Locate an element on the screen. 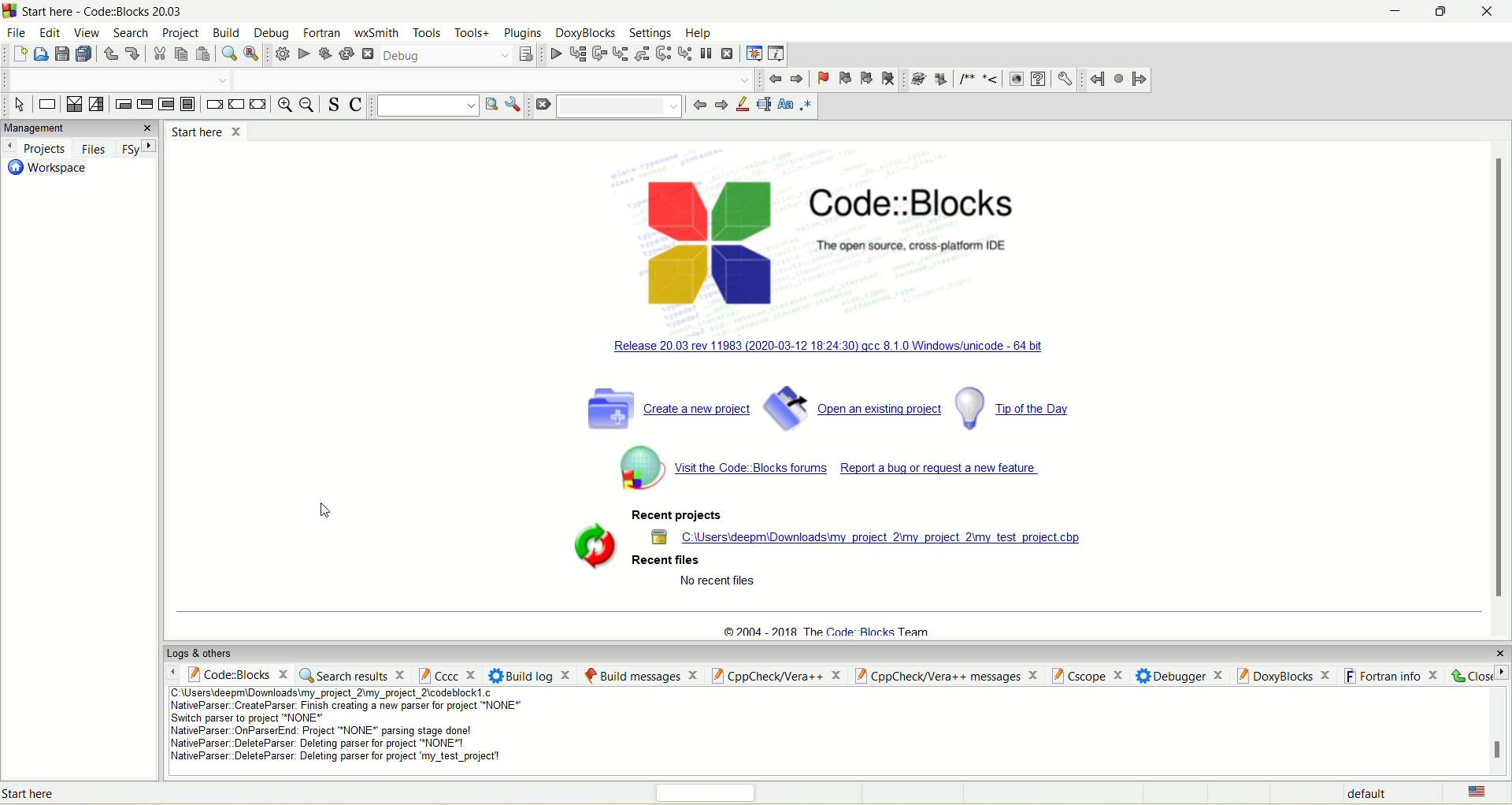  debug is located at coordinates (277, 34).